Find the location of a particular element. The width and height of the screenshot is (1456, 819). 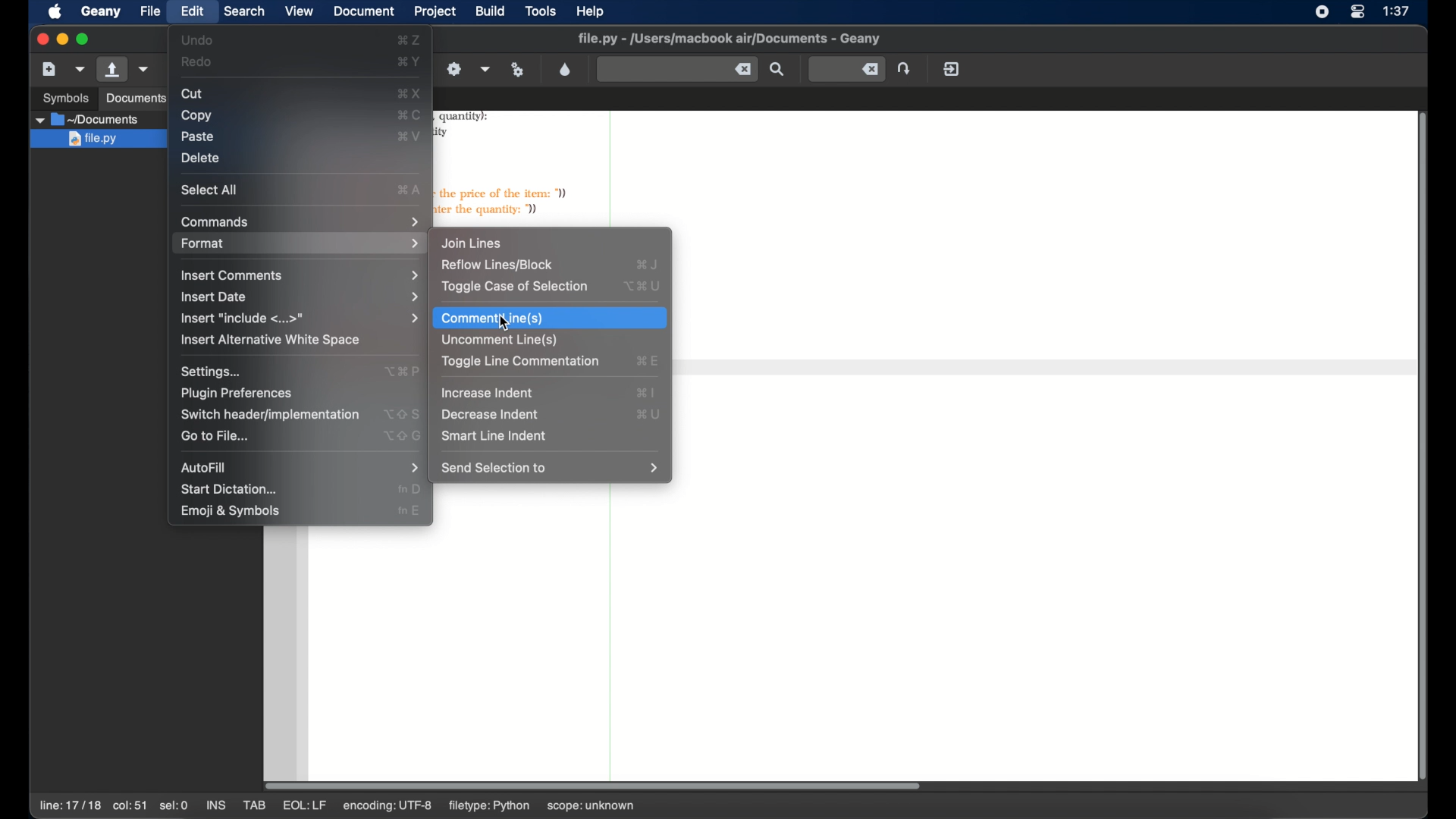

cut shortcut is located at coordinates (409, 93).